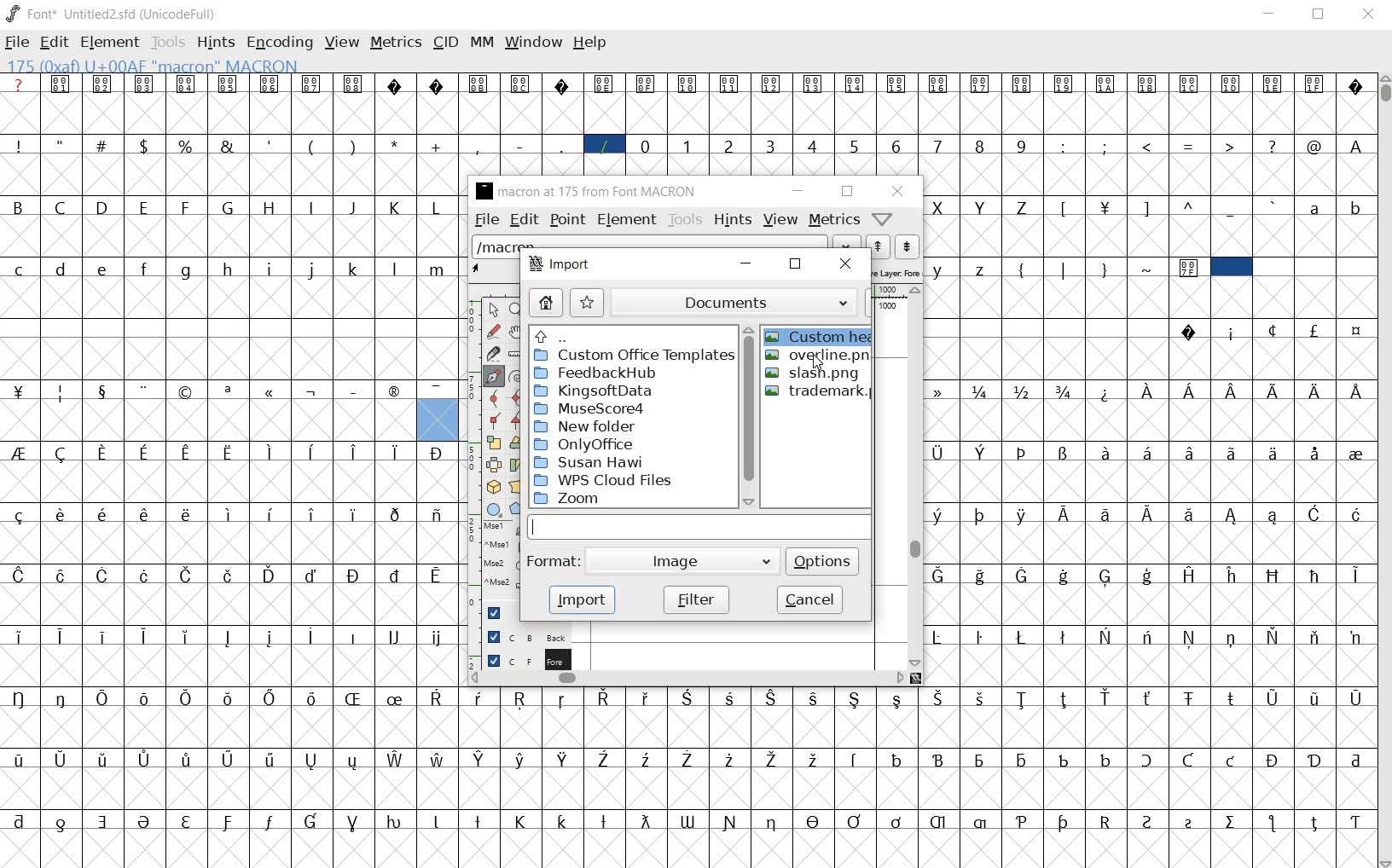 The image size is (1392, 868). What do you see at coordinates (1188, 513) in the screenshot?
I see `Symbol` at bounding box center [1188, 513].